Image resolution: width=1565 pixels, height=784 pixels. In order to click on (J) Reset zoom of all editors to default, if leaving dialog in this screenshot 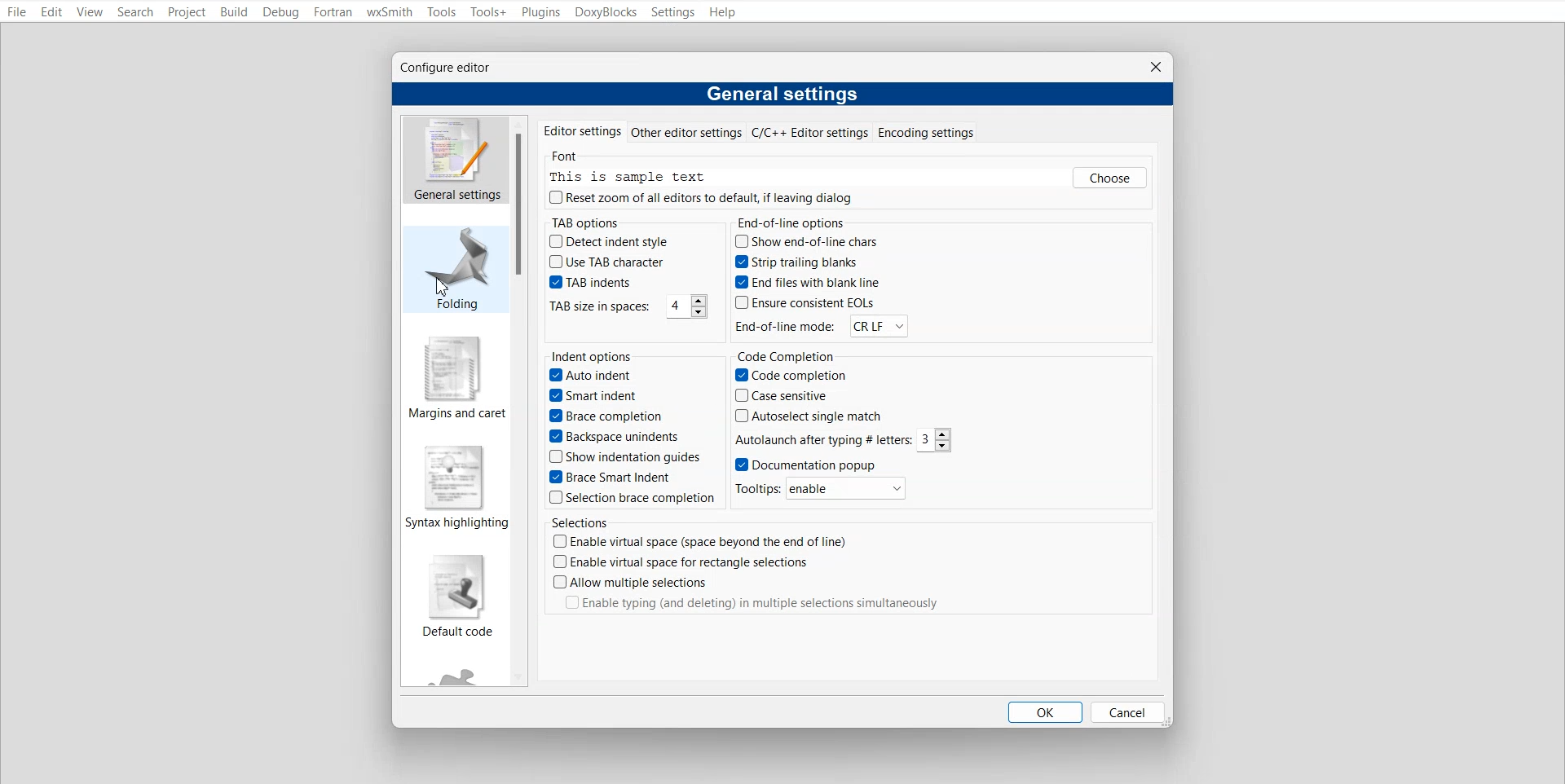, I will do `click(703, 198)`.